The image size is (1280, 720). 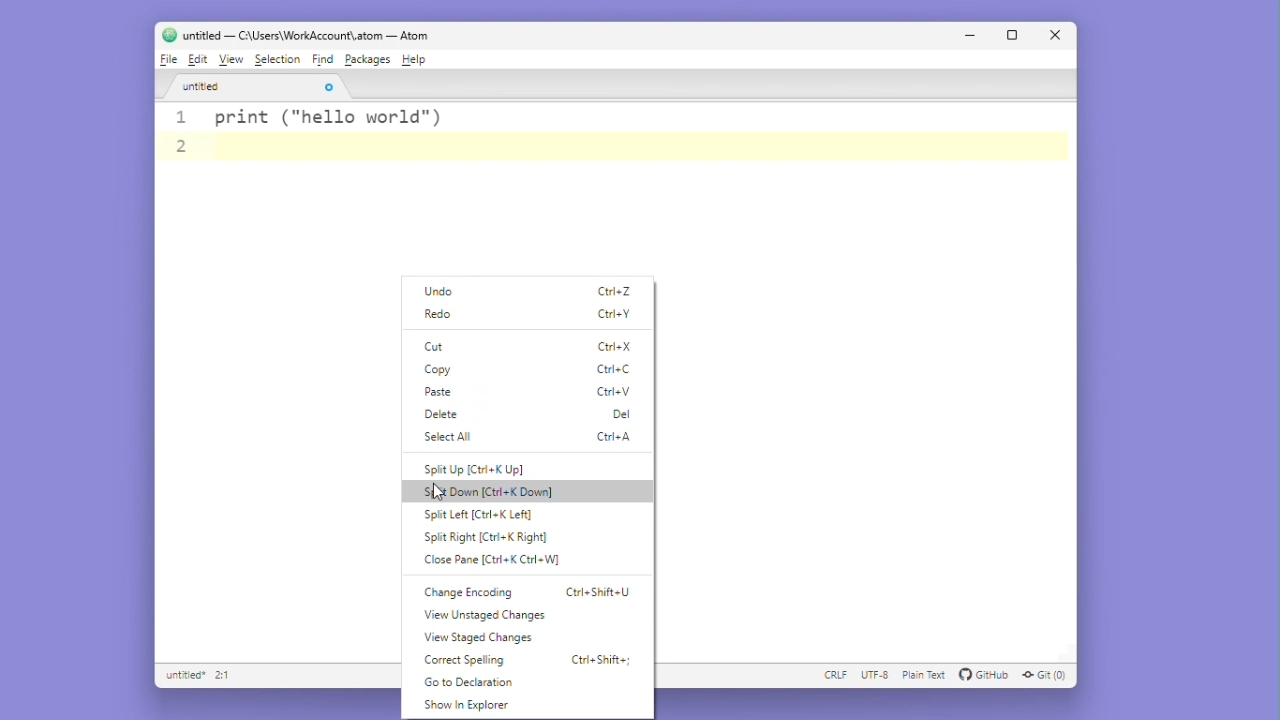 What do you see at coordinates (491, 465) in the screenshot?
I see `Split up` at bounding box center [491, 465].